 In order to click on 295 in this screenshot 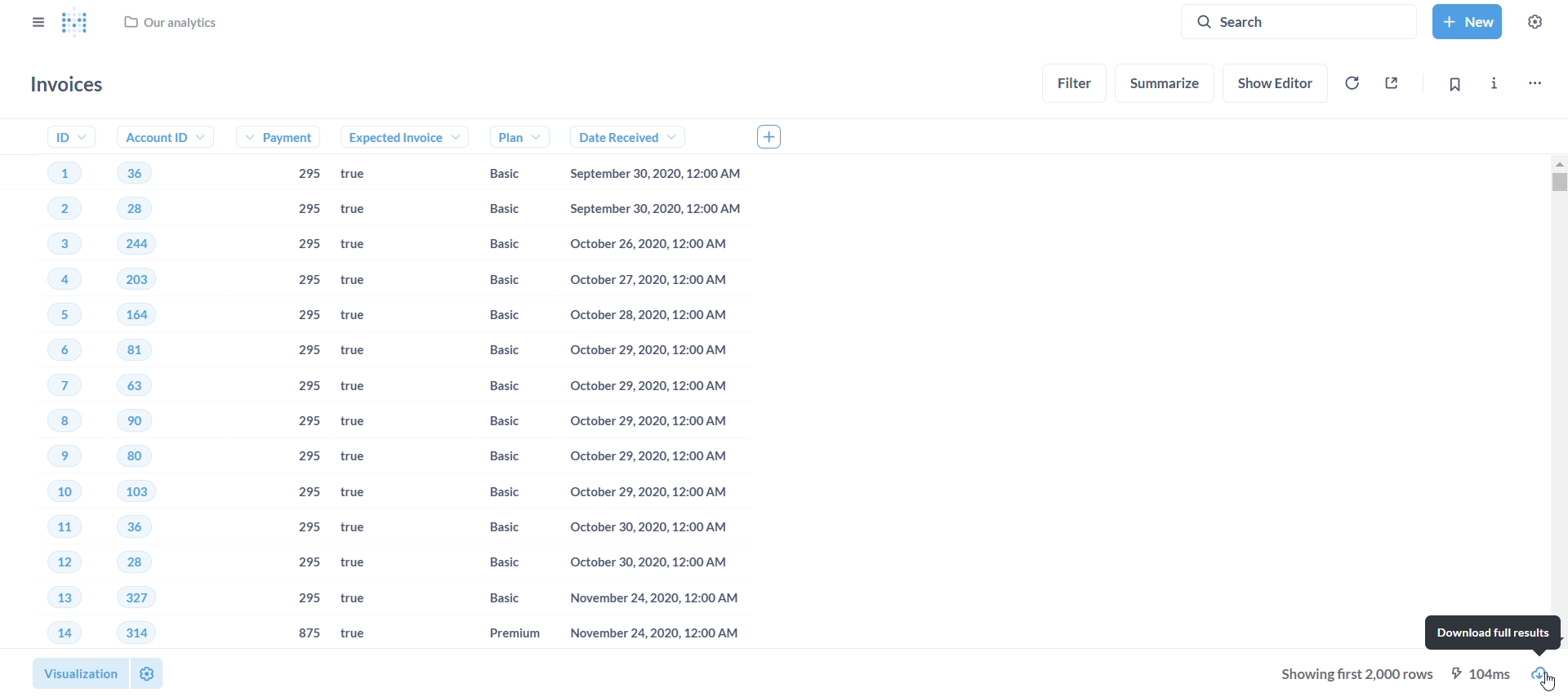, I will do `click(307, 317)`.